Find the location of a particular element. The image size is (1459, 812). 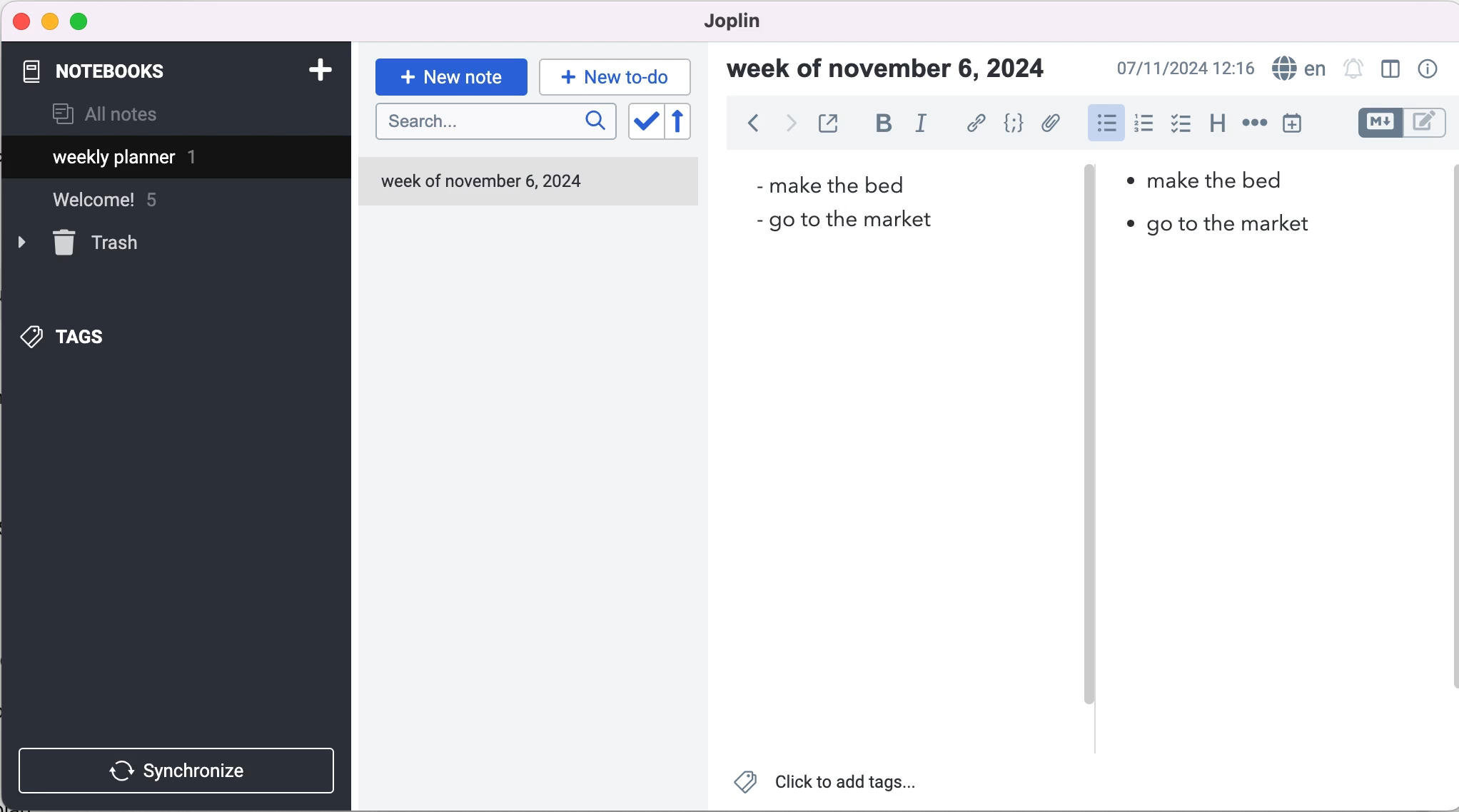

click to add tags is located at coordinates (836, 785).